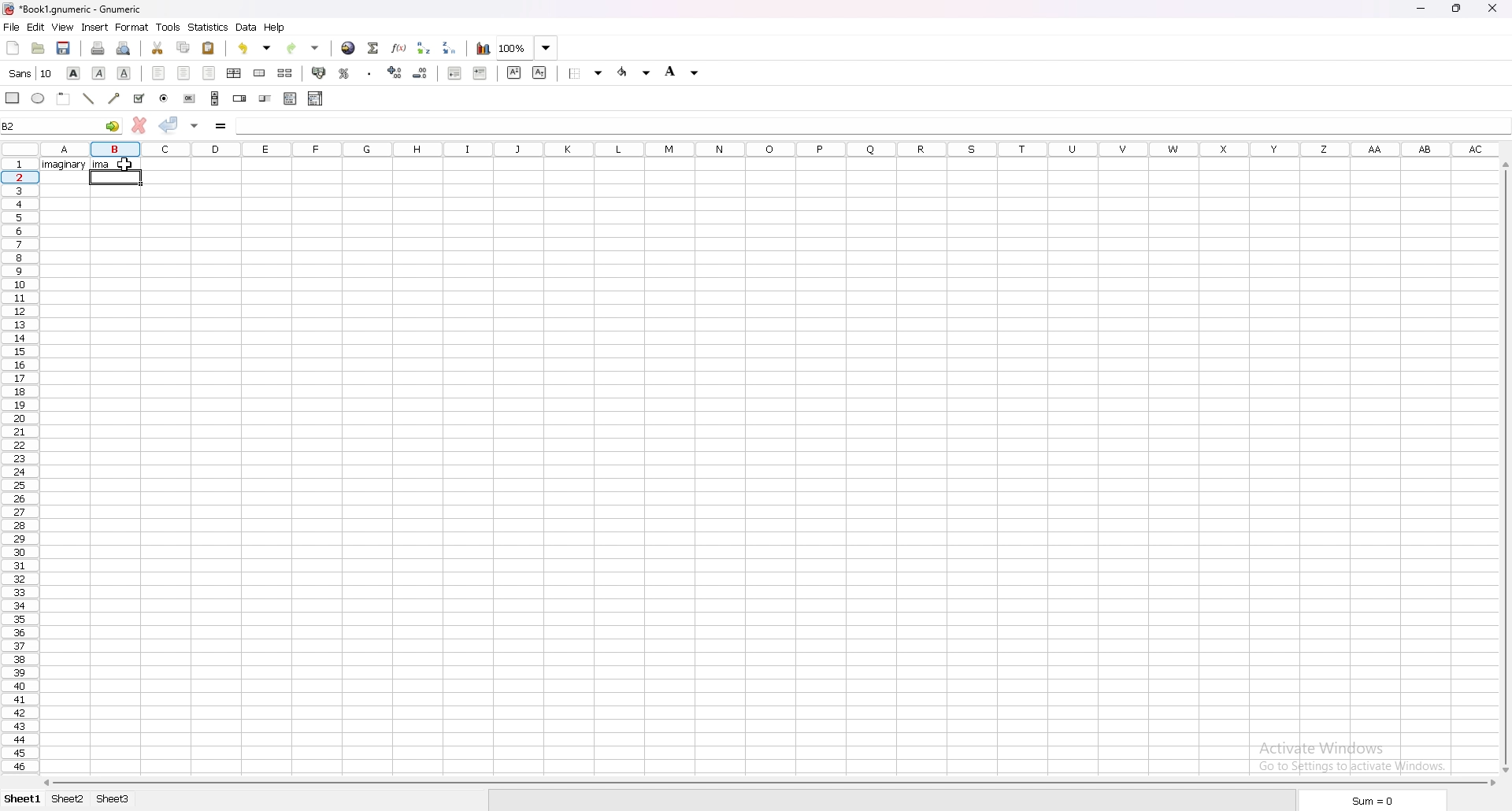 Image resolution: width=1512 pixels, height=811 pixels. I want to click on help, so click(275, 28).